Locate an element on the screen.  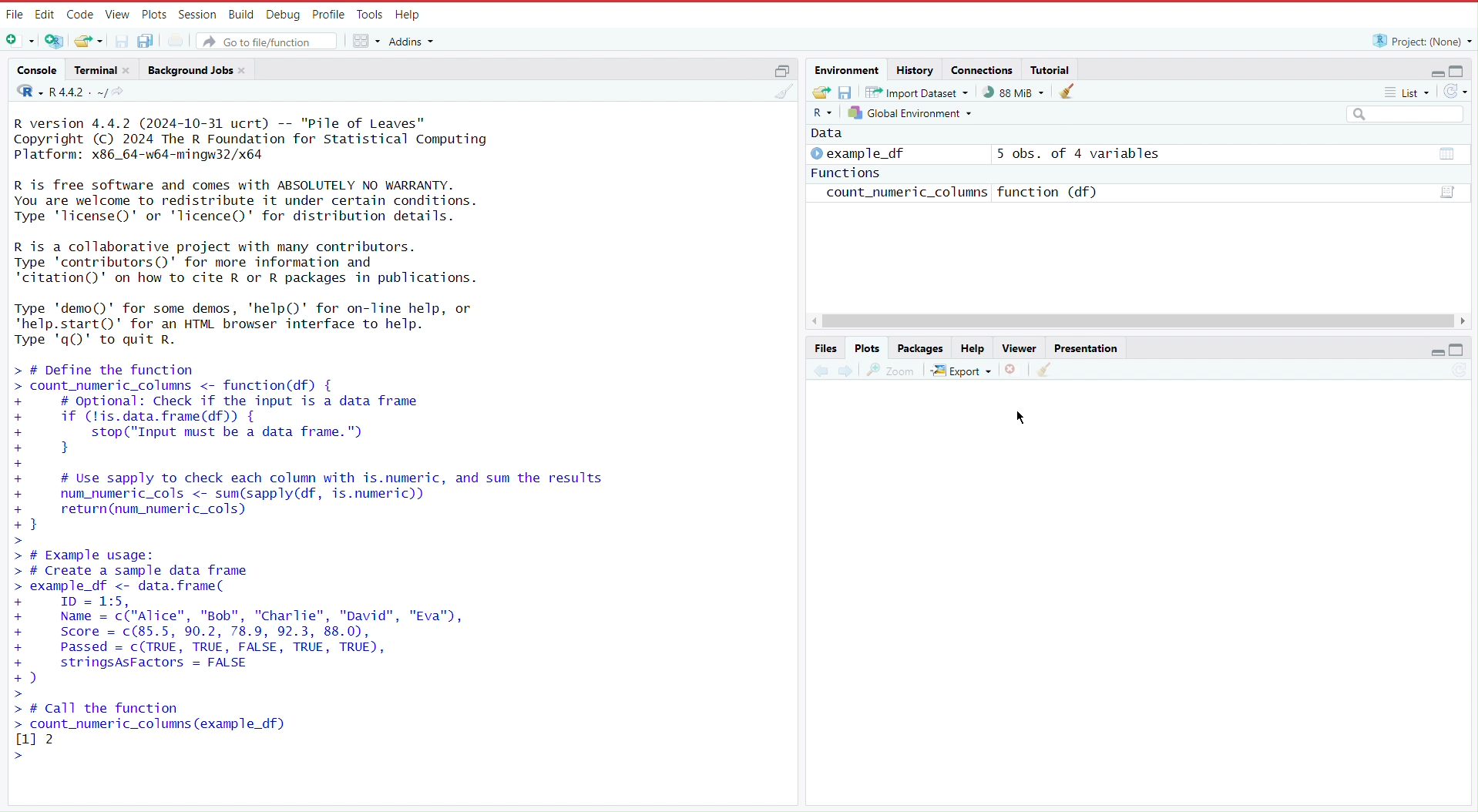
View is located at coordinates (116, 15).